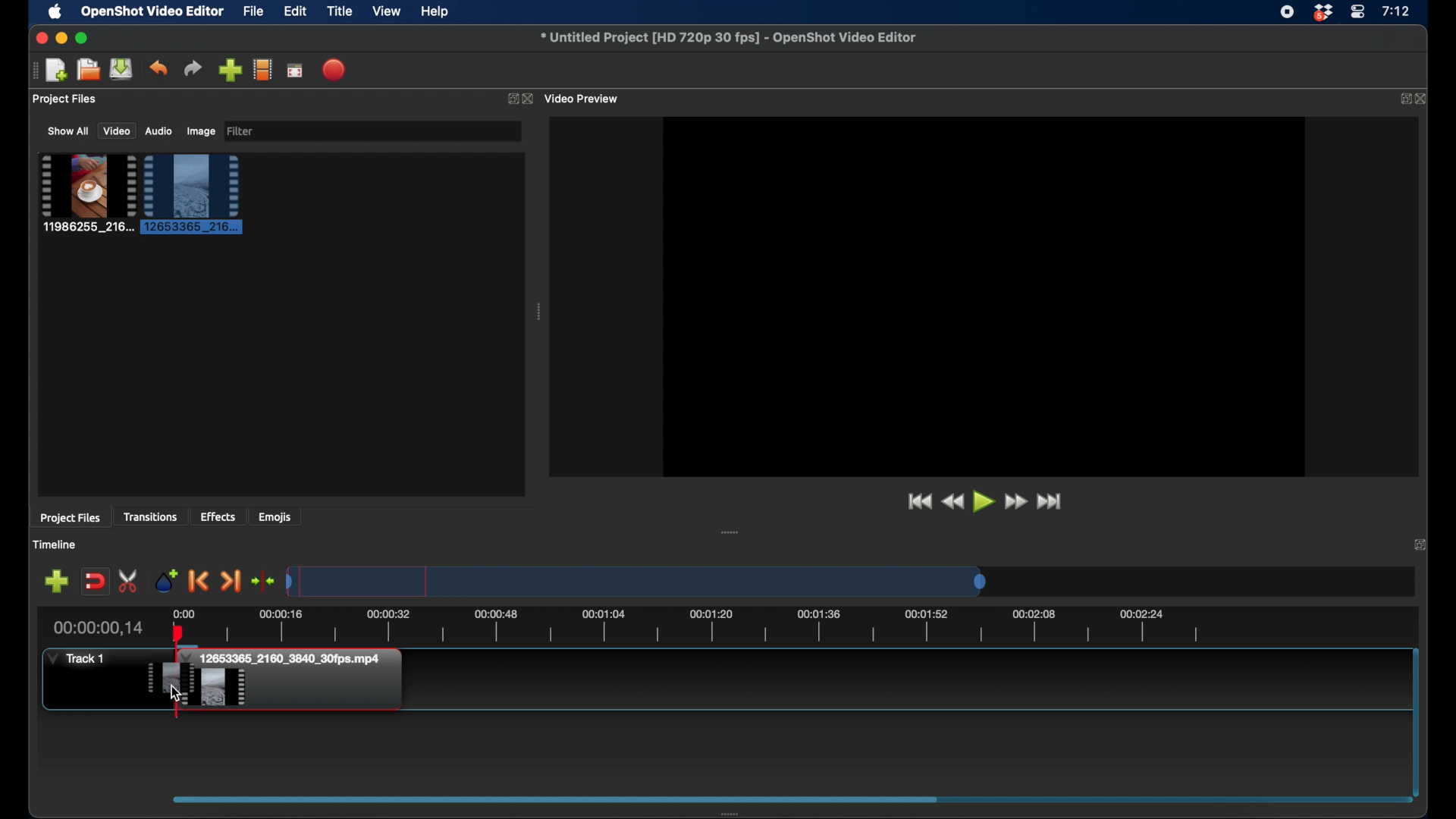  I want to click on drag handle, so click(538, 312).